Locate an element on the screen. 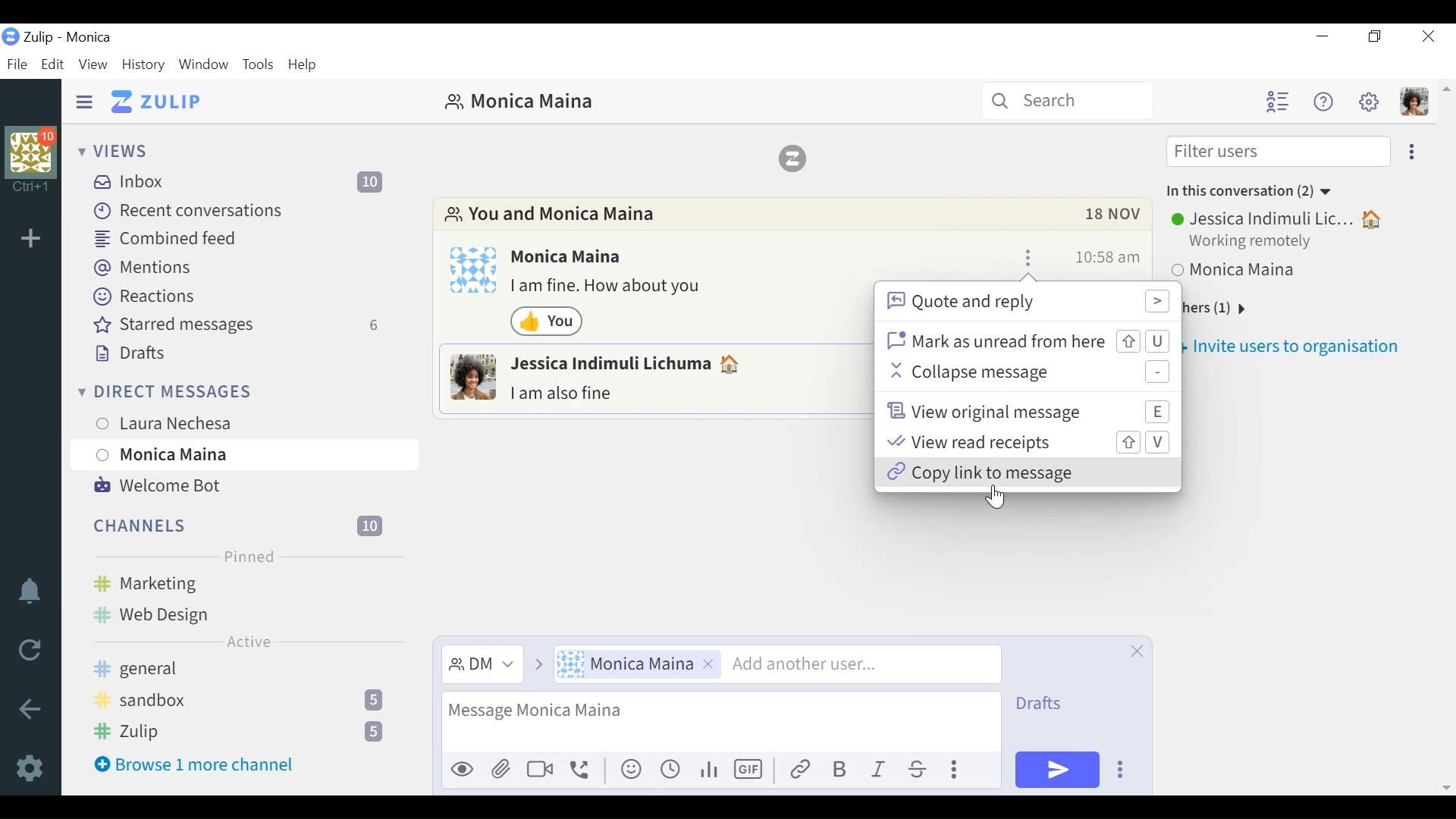  View read receipts is located at coordinates (1026, 443).